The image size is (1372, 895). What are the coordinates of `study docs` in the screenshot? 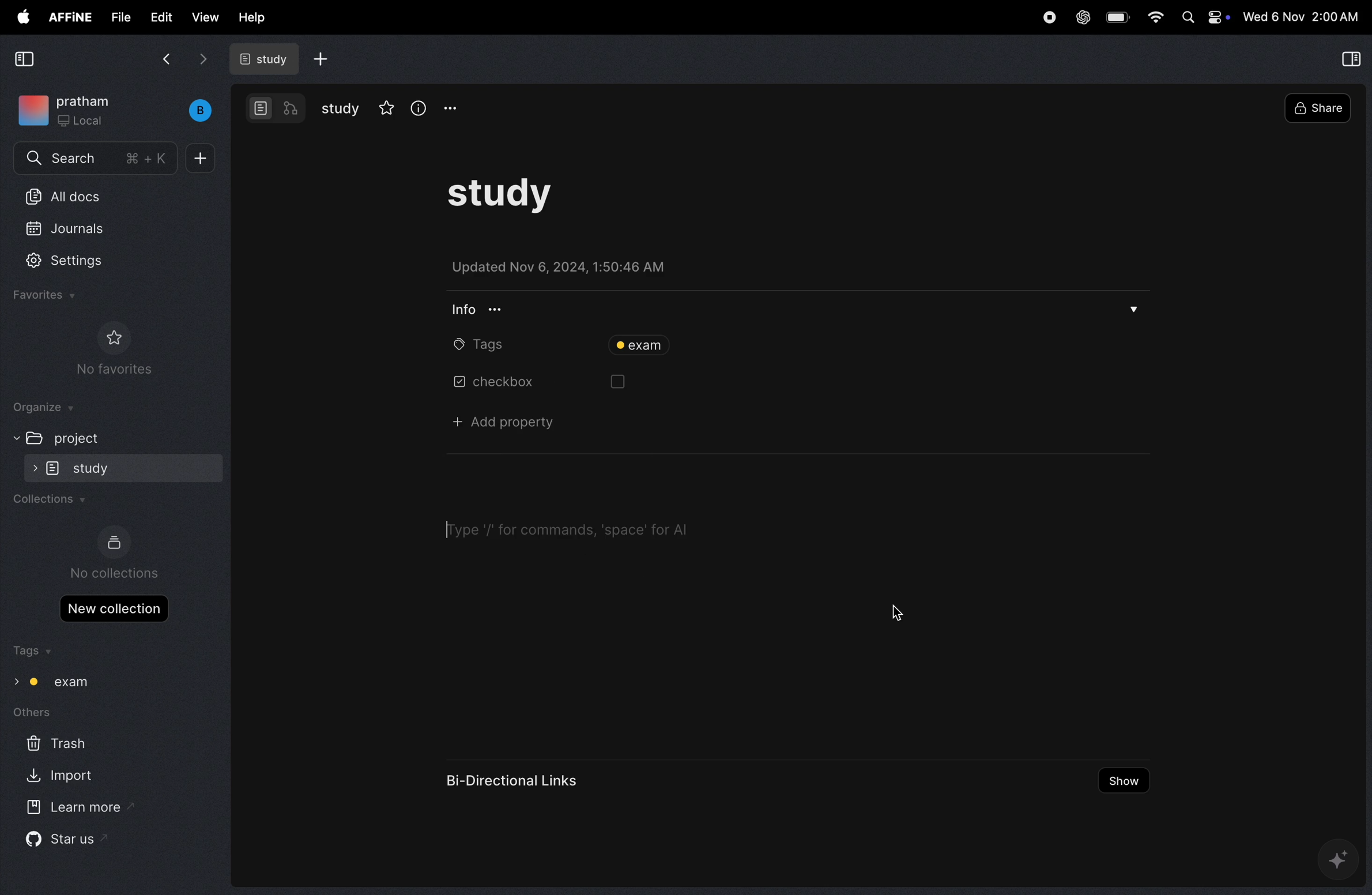 It's located at (261, 59).